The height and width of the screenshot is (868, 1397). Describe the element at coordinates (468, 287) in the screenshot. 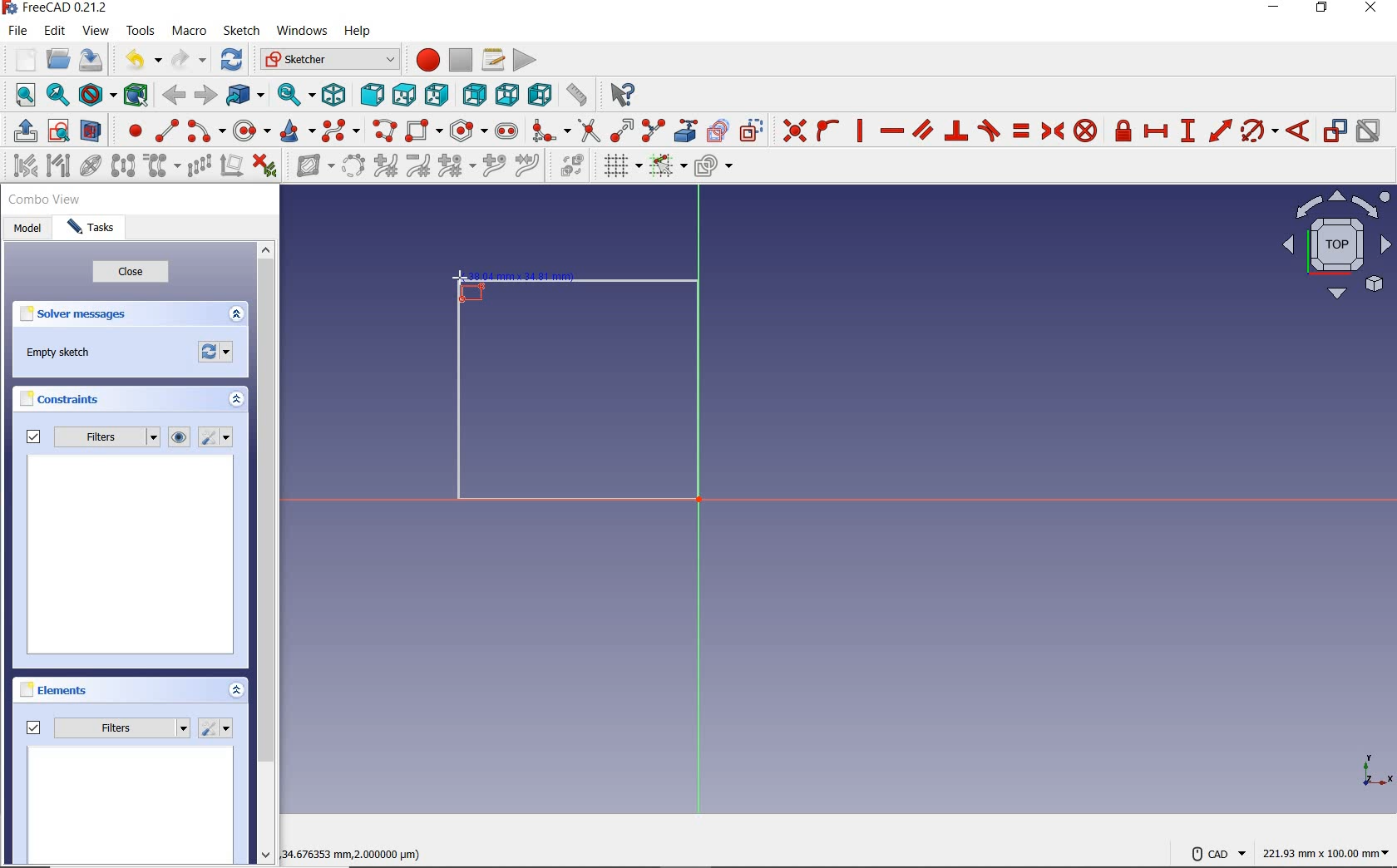

I see `rectangle tool at point Y rising` at that location.